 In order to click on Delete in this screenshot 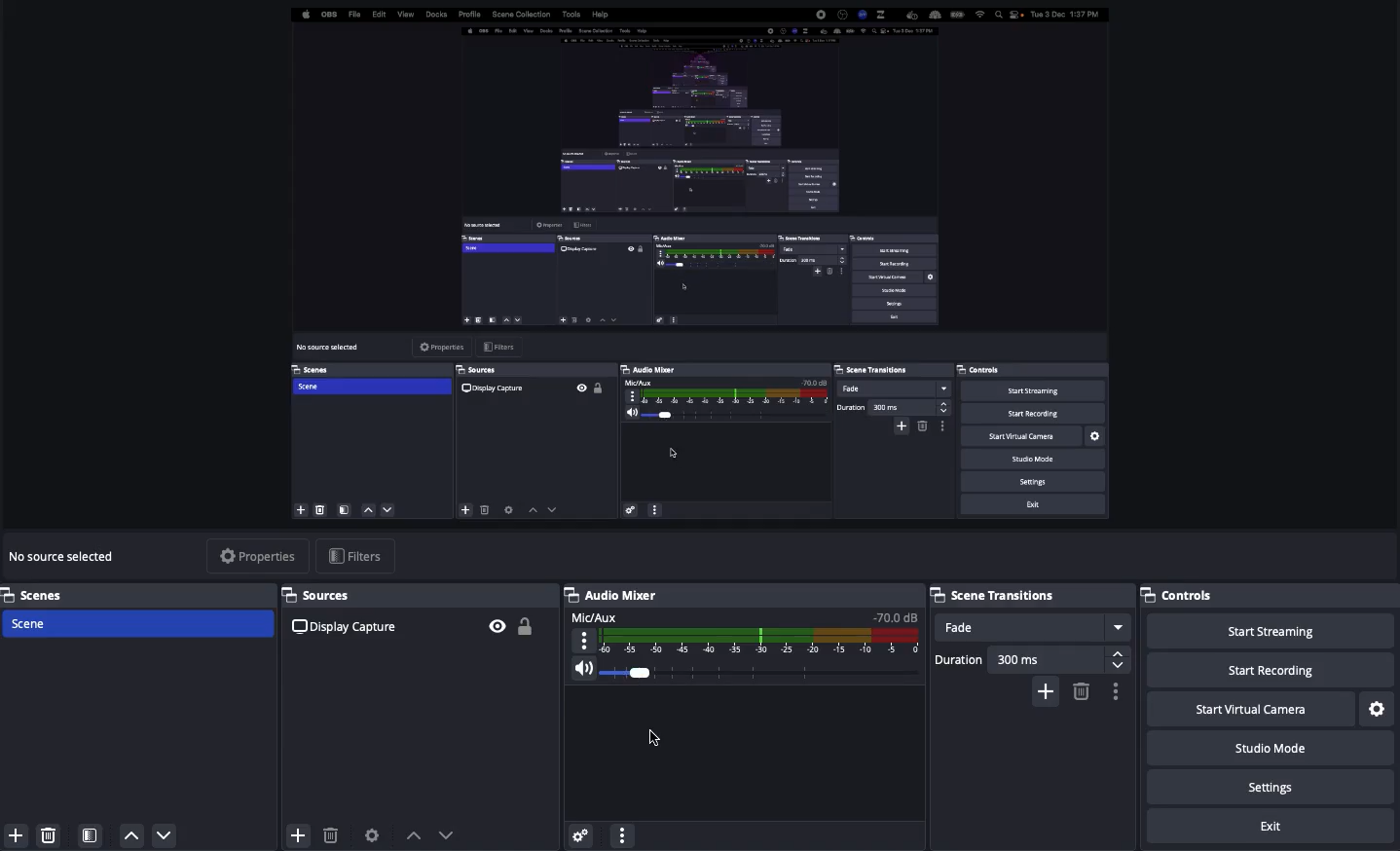, I will do `click(330, 835)`.